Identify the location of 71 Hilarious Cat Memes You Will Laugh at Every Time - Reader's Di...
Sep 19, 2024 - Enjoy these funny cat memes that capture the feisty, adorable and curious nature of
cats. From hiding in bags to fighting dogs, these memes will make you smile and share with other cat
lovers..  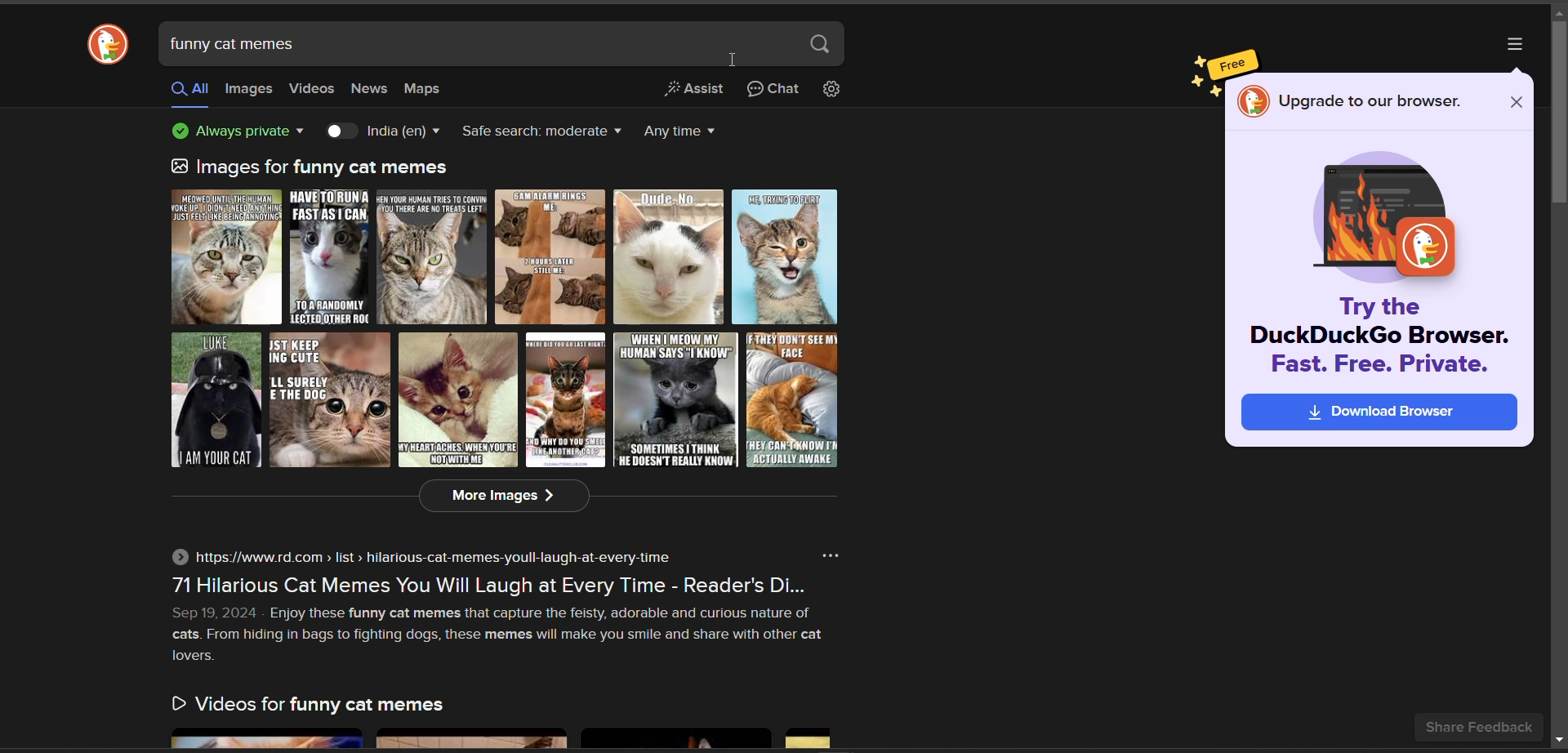
(499, 622).